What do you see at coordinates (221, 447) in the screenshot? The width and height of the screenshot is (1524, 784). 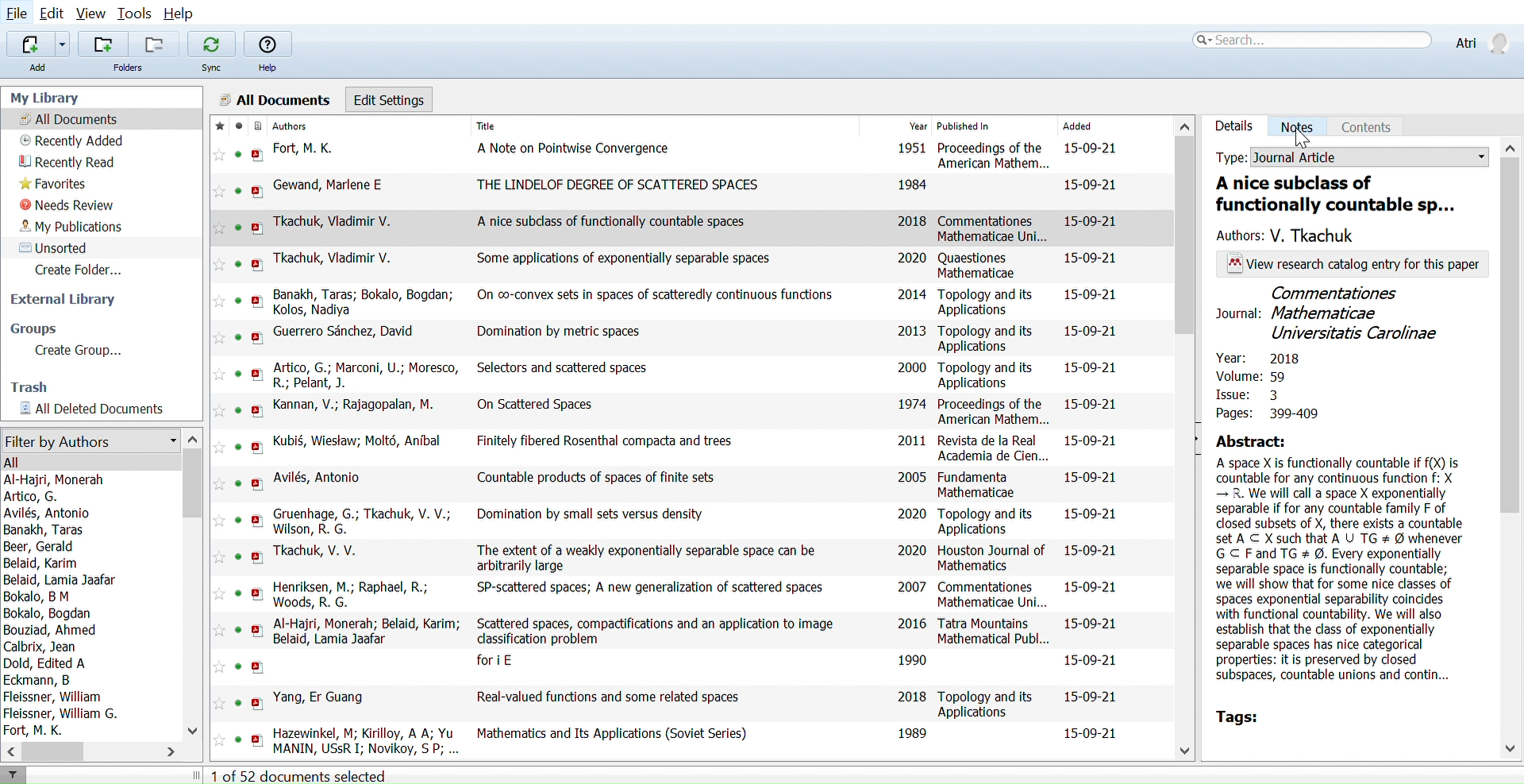 I see `Add this reference to favorites` at bounding box center [221, 447].